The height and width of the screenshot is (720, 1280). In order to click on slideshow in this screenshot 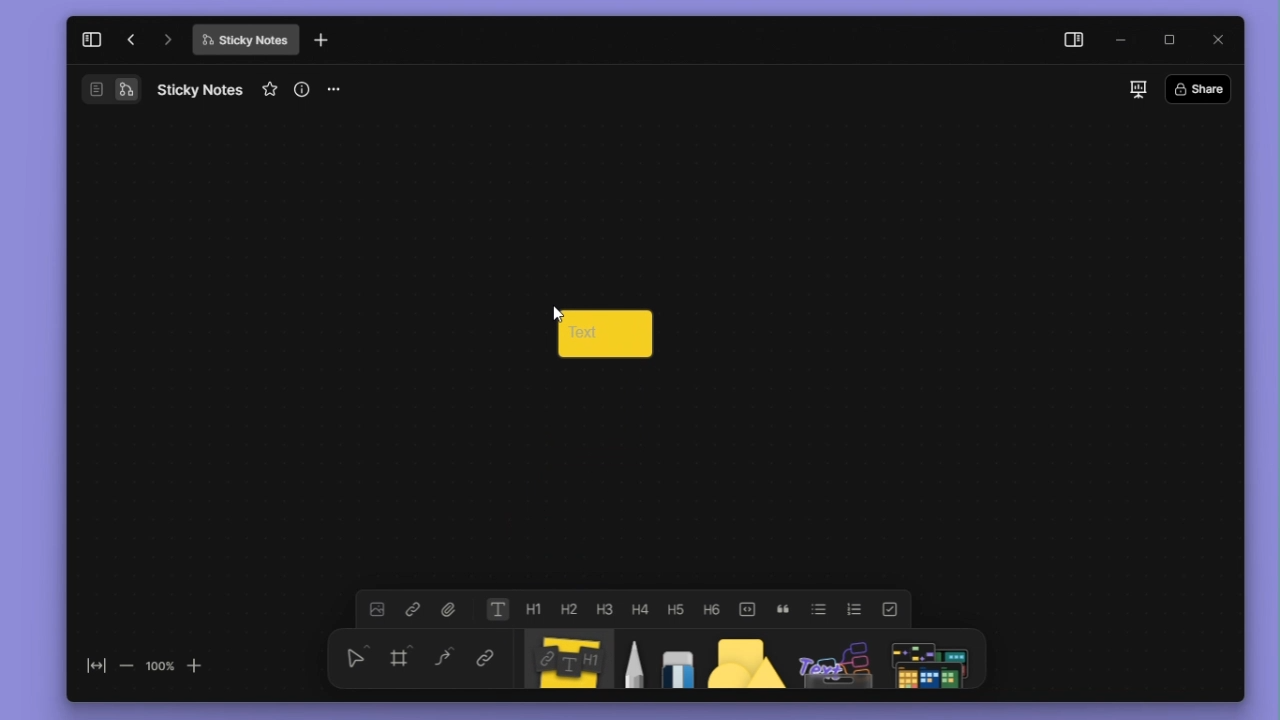, I will do `click(1137, 89)`.